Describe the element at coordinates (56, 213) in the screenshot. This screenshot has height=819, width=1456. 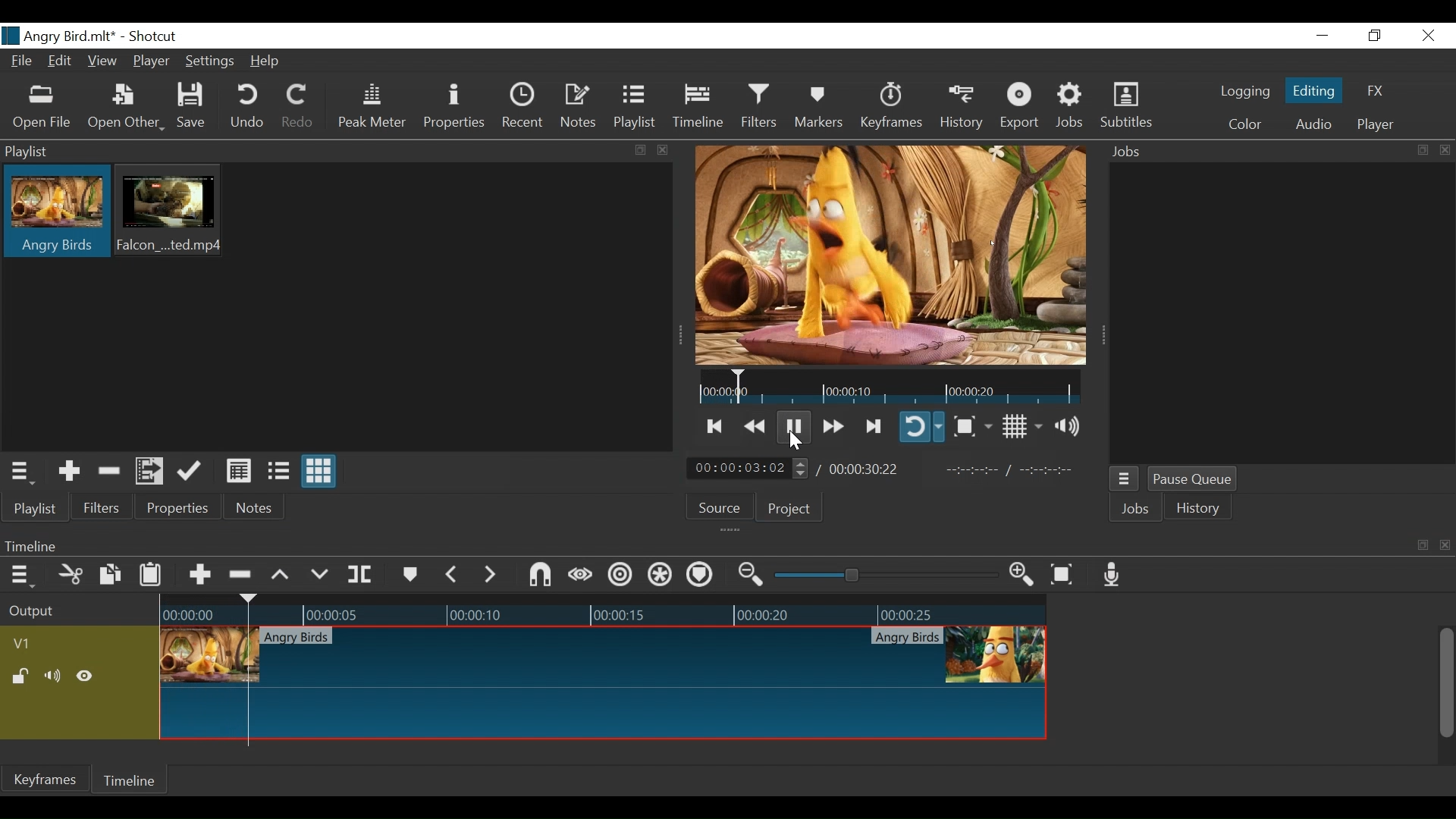
I see `Clip` at that location.